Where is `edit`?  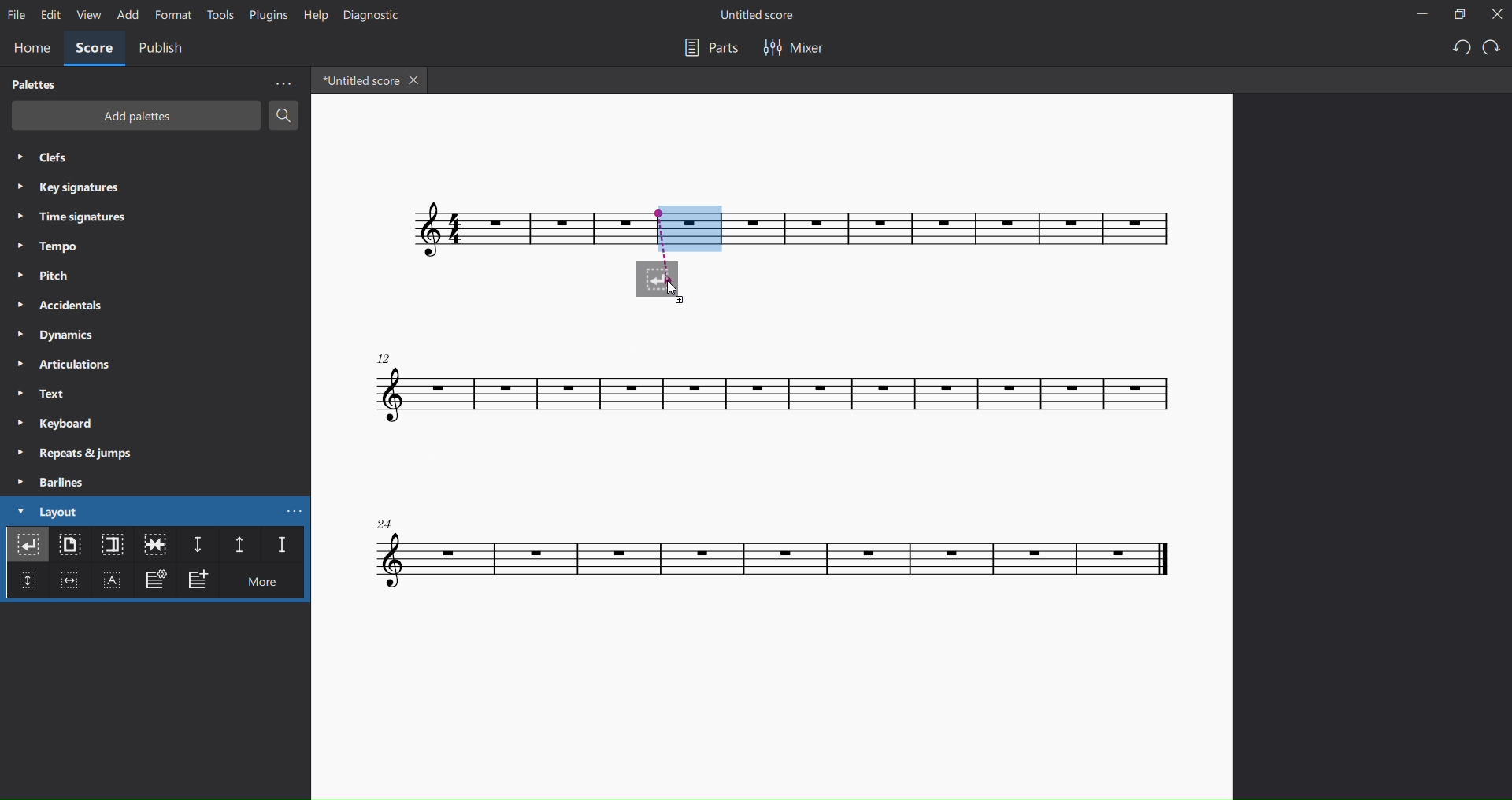 edit is located at coordinates (50, 15).